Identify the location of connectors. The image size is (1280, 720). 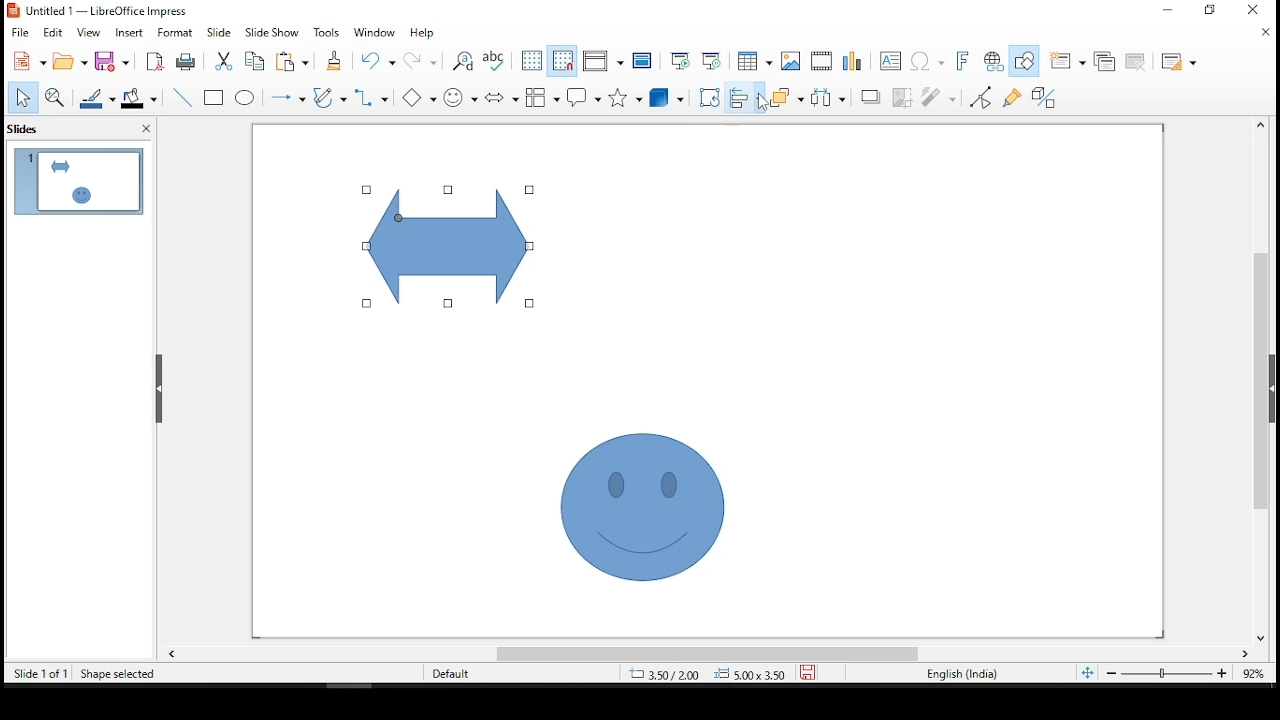
(371, 99).